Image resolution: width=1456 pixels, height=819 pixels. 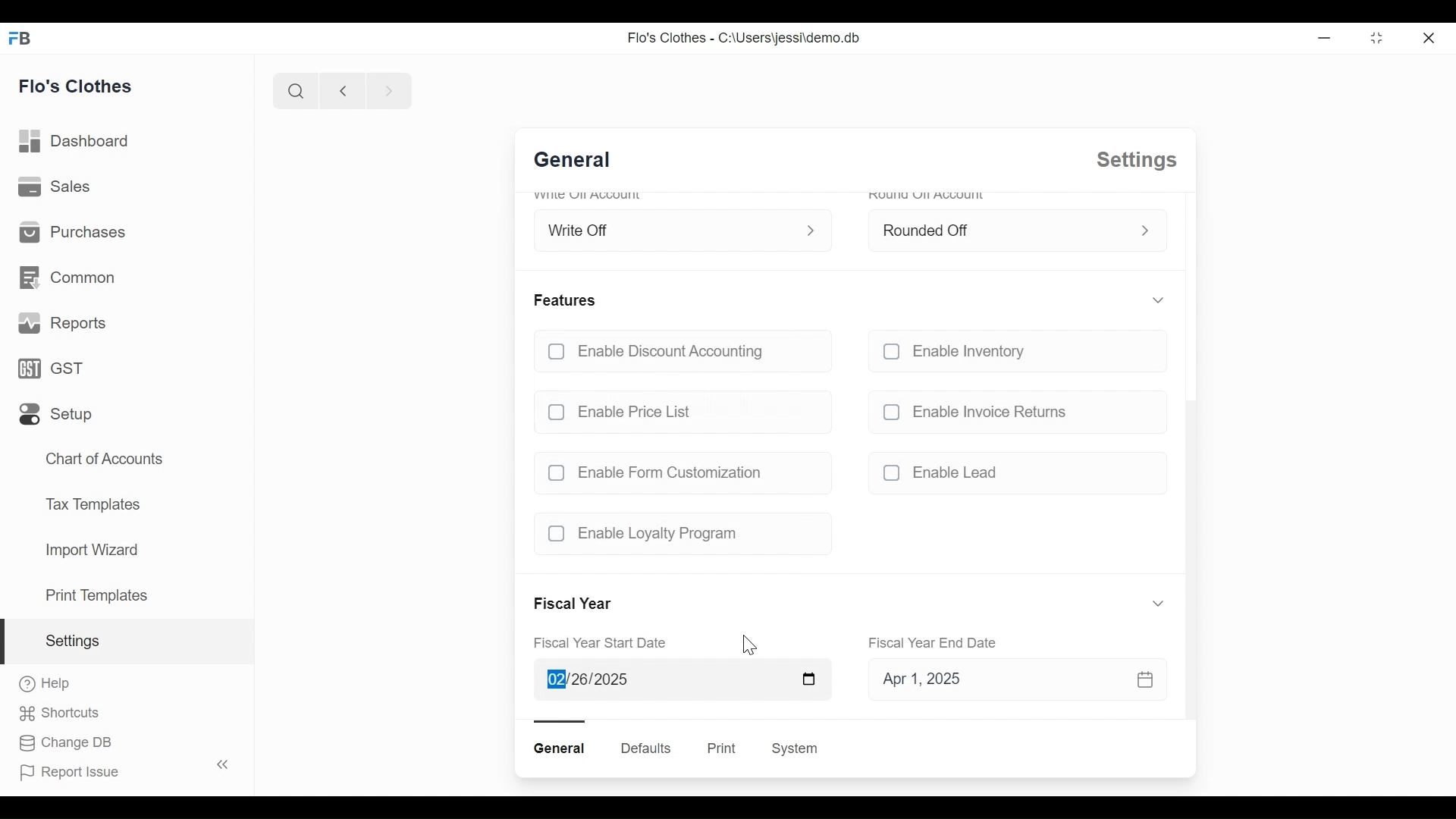 I want to click on unchecked Enable Discount Accounting, so click(x=680, y=353).